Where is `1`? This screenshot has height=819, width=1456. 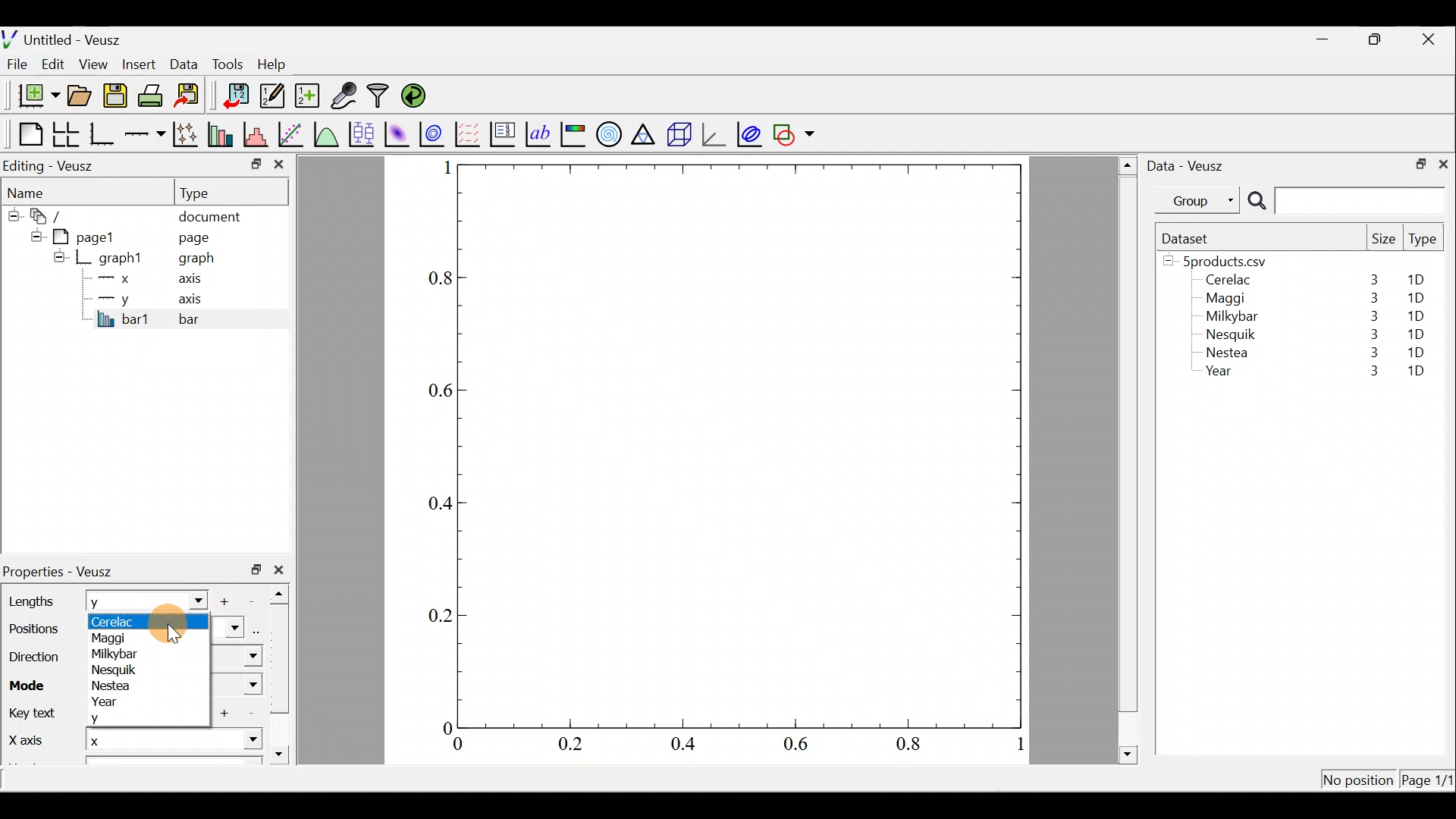 1 is located at coordinates (1018, 747).